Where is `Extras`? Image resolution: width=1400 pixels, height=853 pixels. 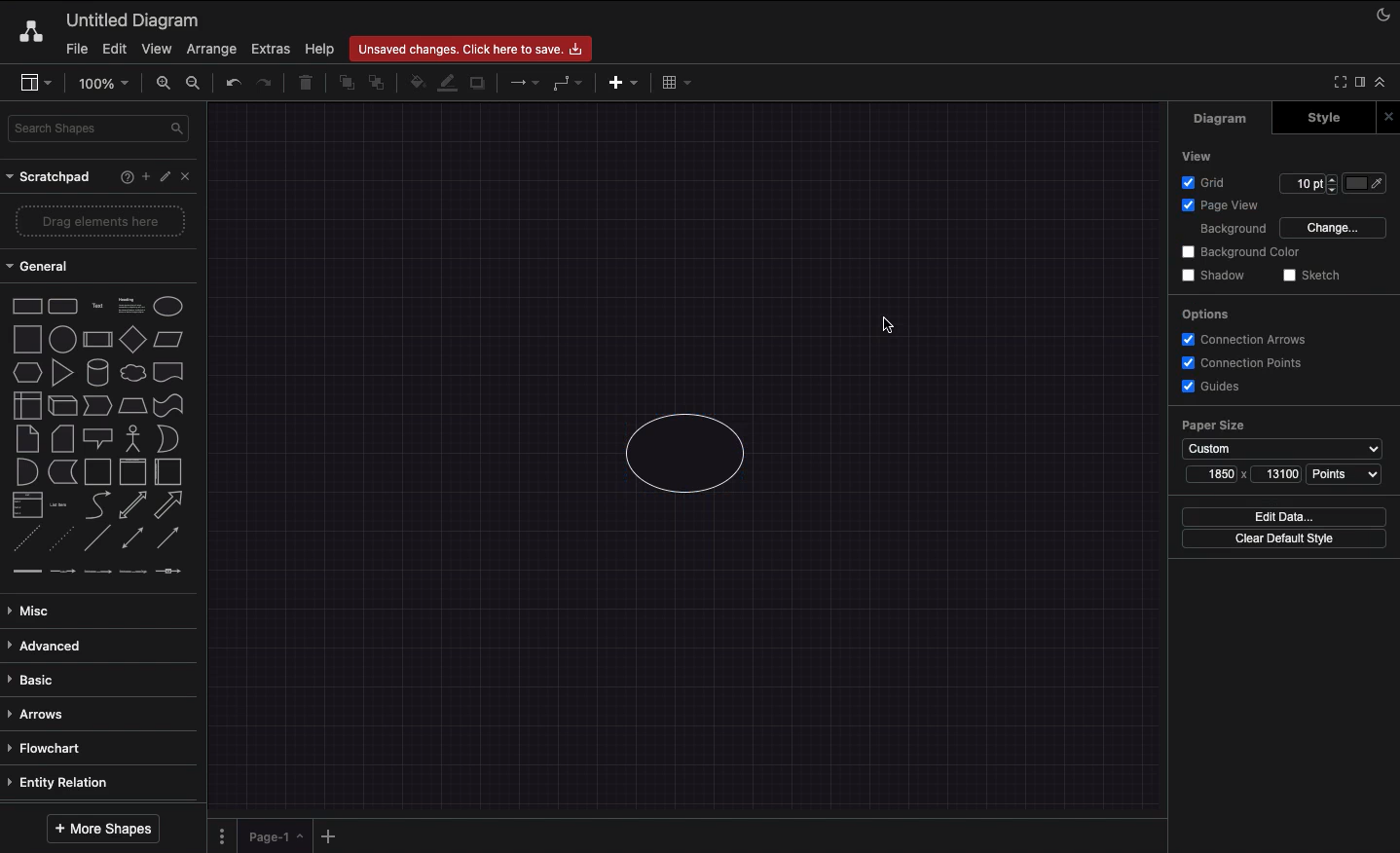
Extras is located at coordinates (271, 48).